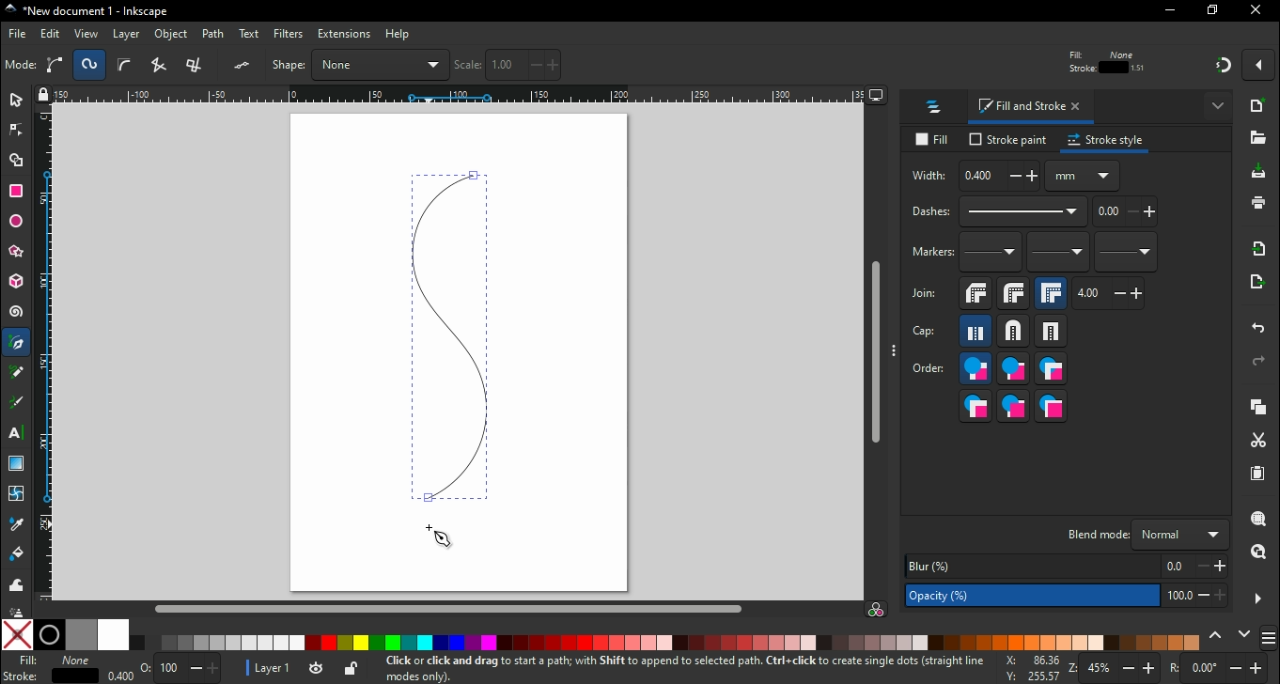 The width and height of the screenshot is (1280, 684). What do you see at coordinates (999, 216) in the screenshot?
I see `dashes` at bounding box center [999, 216].